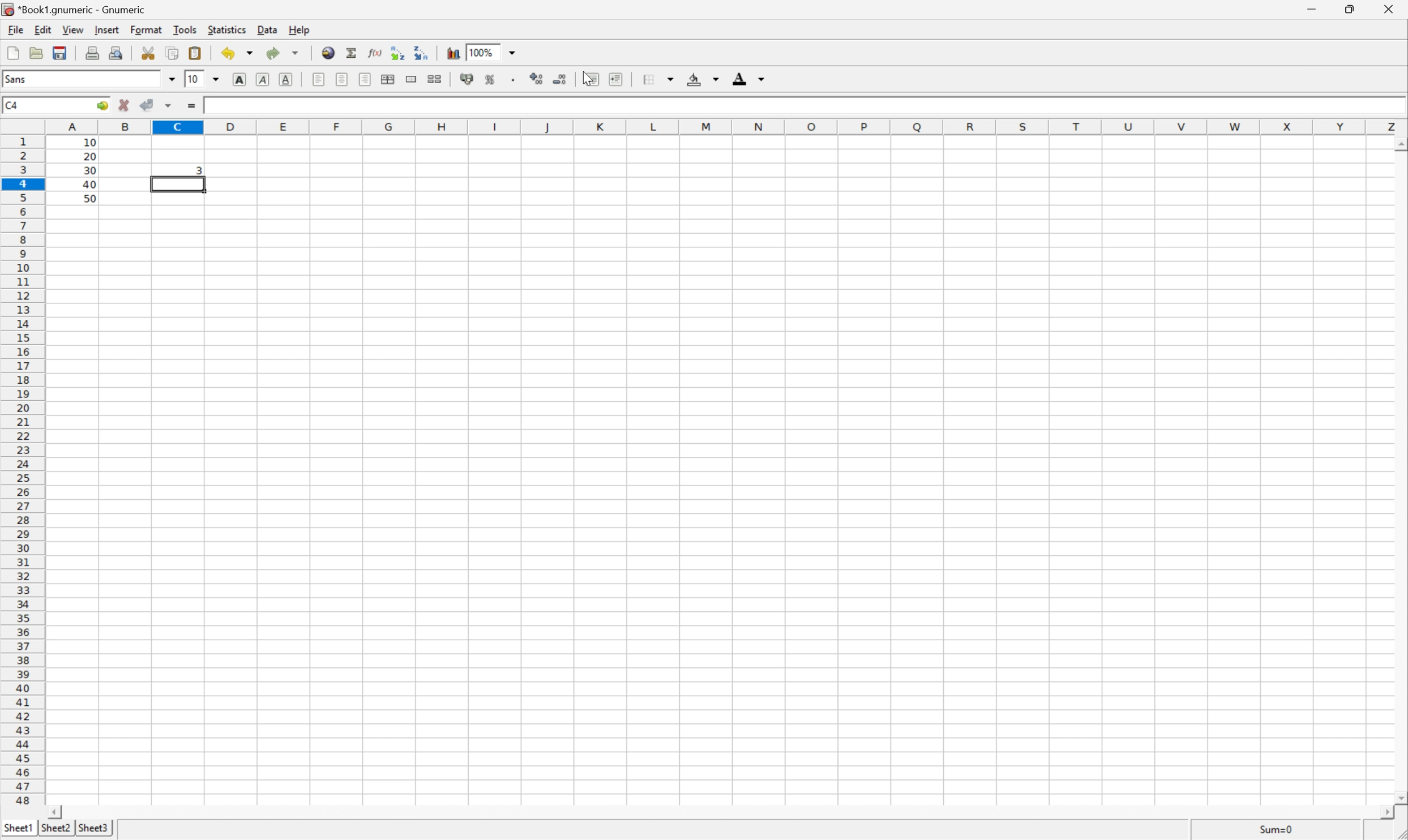  What do you see at coordinates (1400, 143) in the screenshot?
I see `Scroll Up` at bounding box center [1400, 143].